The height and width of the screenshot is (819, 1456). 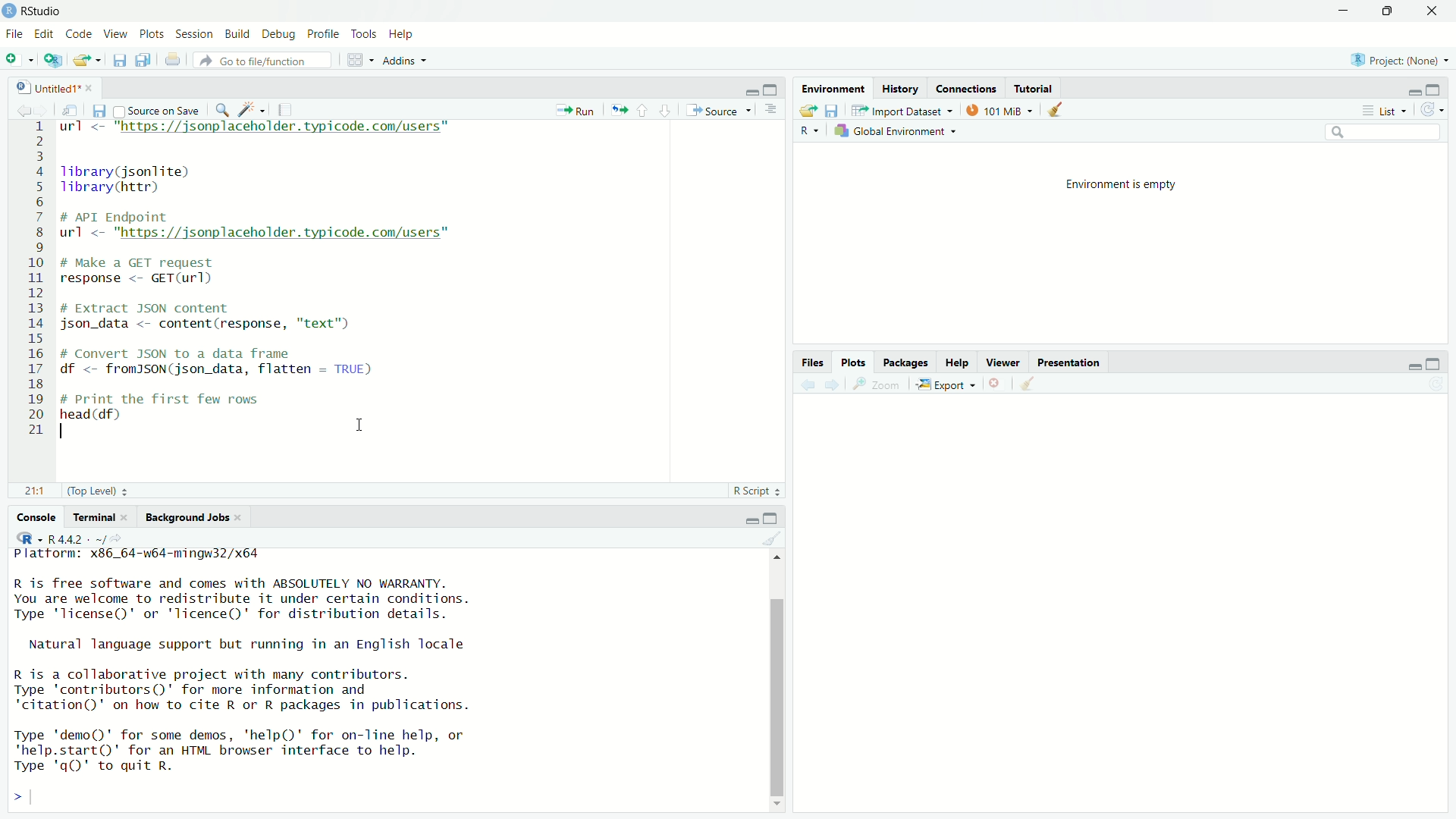 I want to click on Next, so click(x=42, y=111).